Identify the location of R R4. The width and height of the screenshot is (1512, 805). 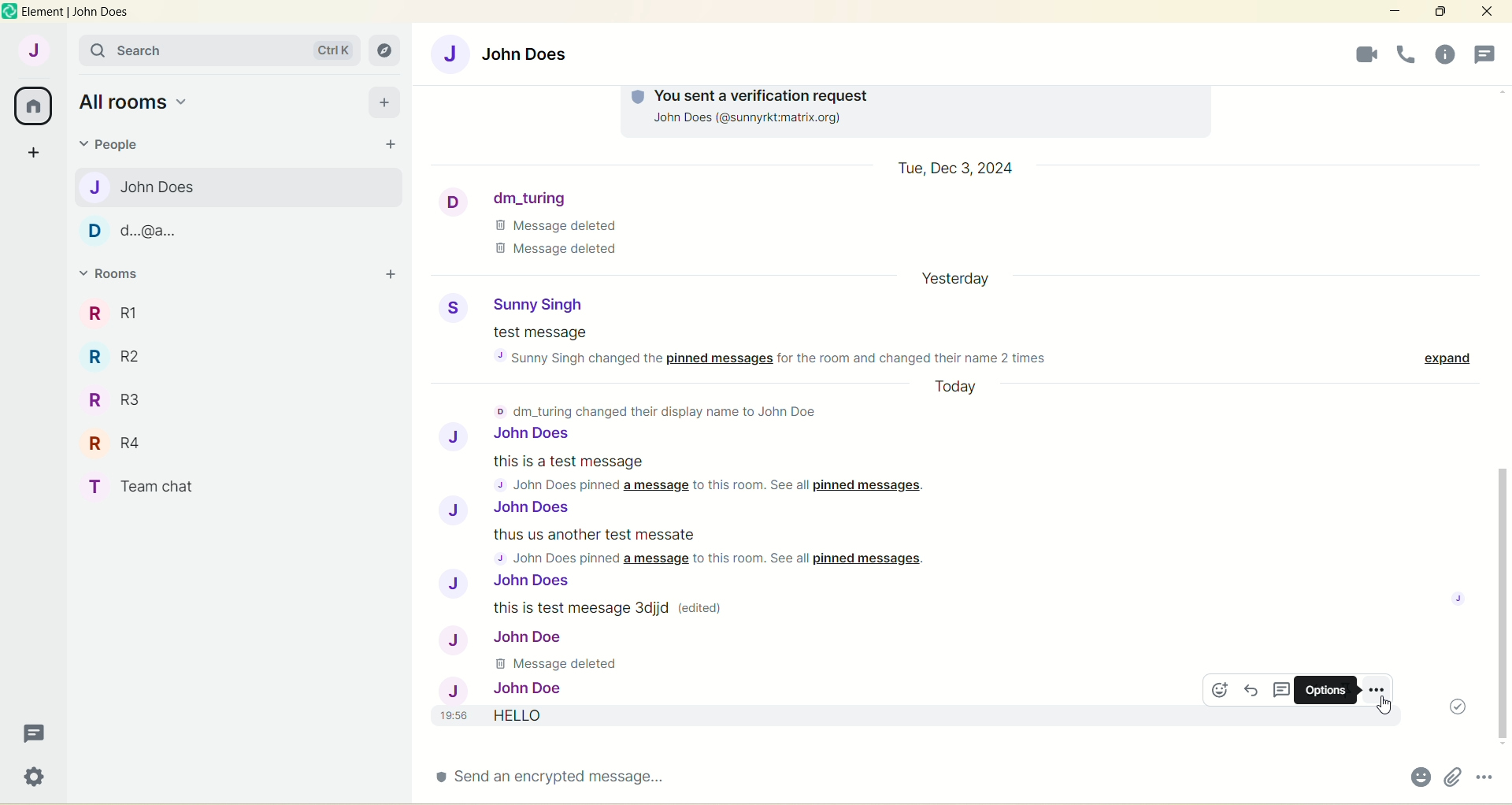
(117, 443).